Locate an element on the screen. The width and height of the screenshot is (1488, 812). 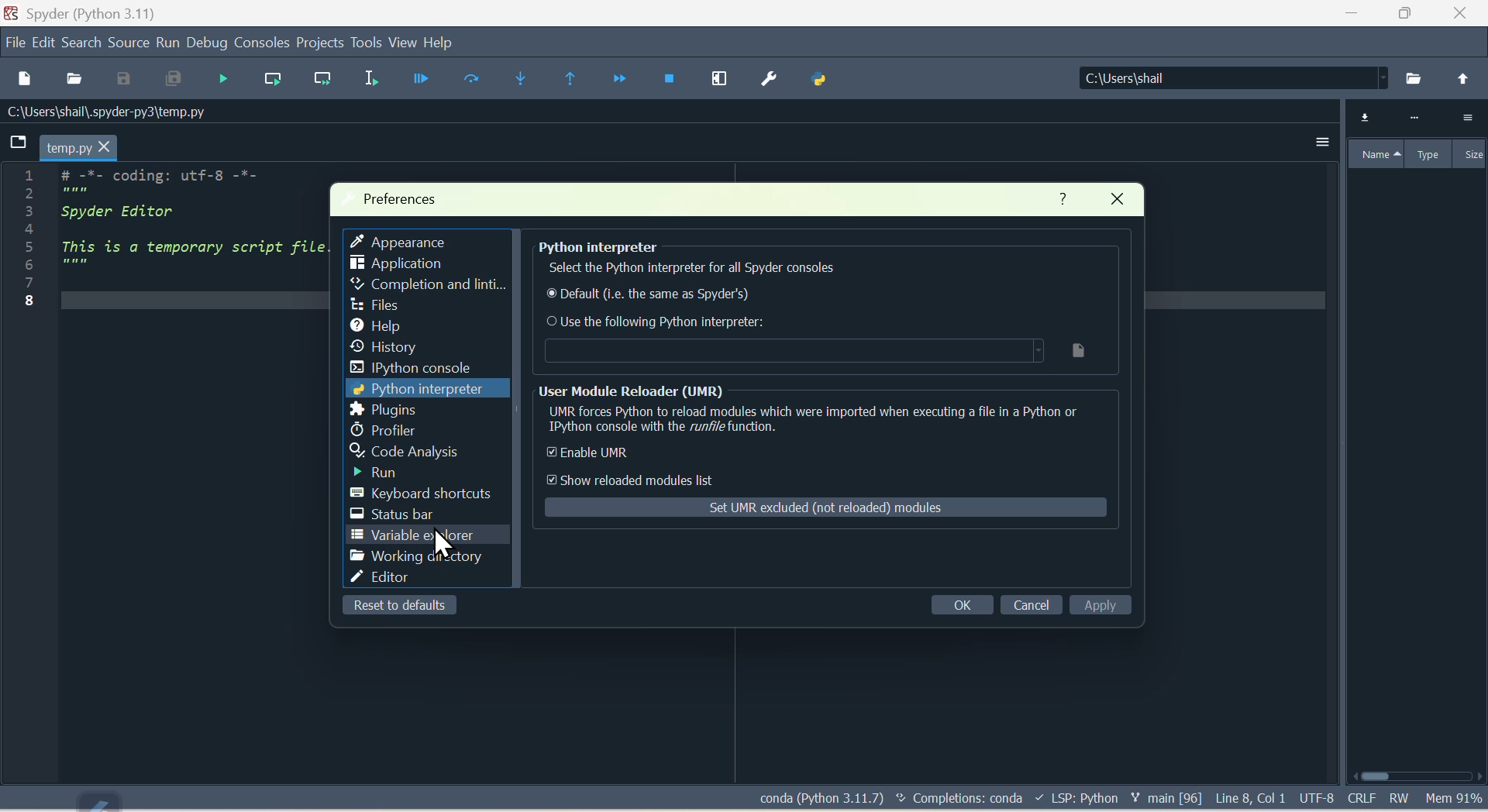
 is located at coordinates (421, 80).